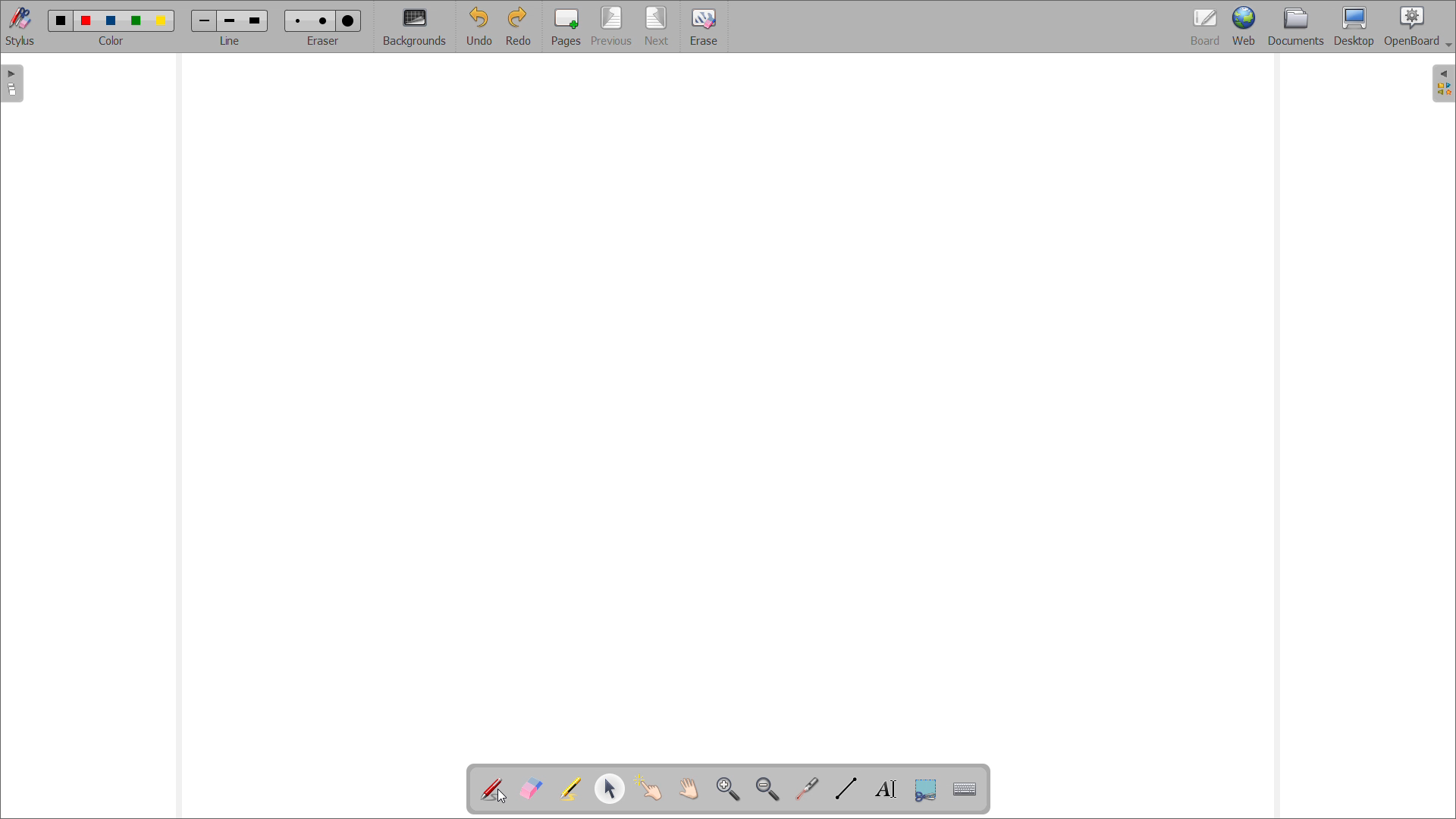 This screenshot has width=1456, height=819. What do you see at coordinates (231, 22) in the screenshot?
I see `line width size` at bounding box center [231, 22].